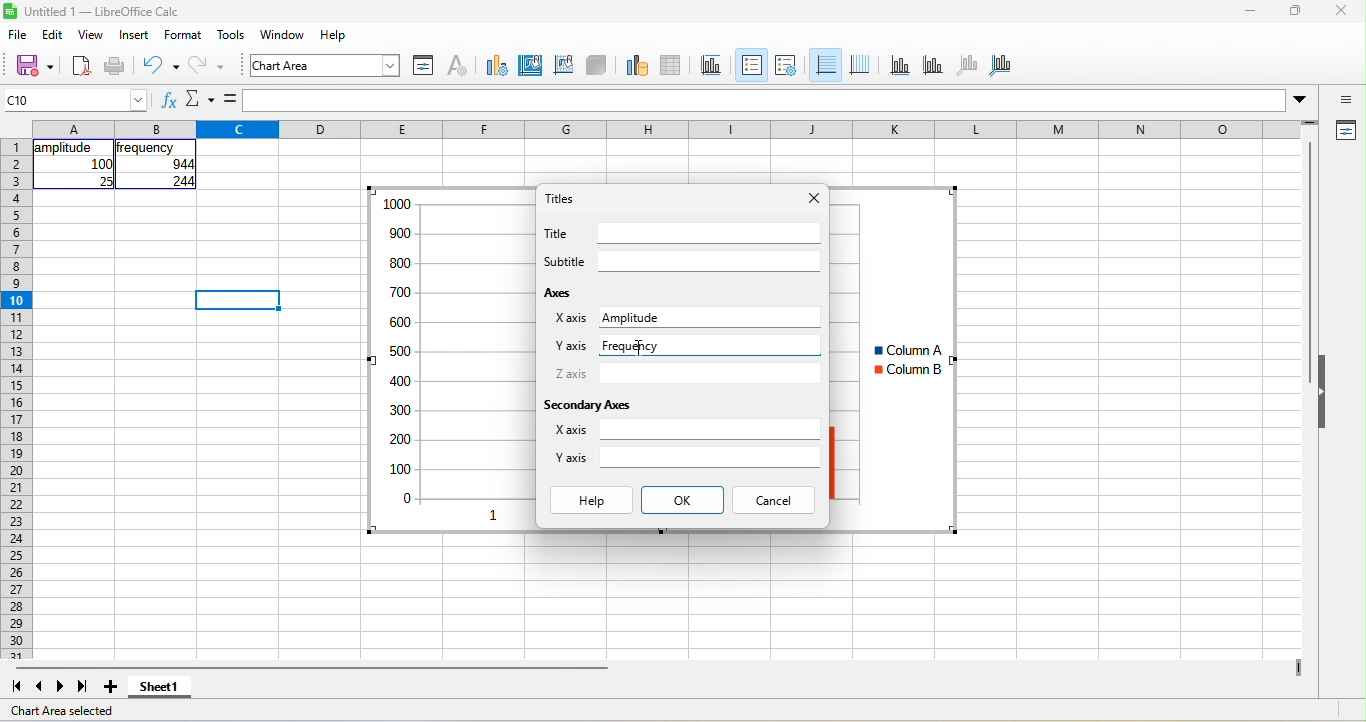 Image resolution: width=1366 pixels, height=722 pixels. I want to click on rows, so click(16, 399).